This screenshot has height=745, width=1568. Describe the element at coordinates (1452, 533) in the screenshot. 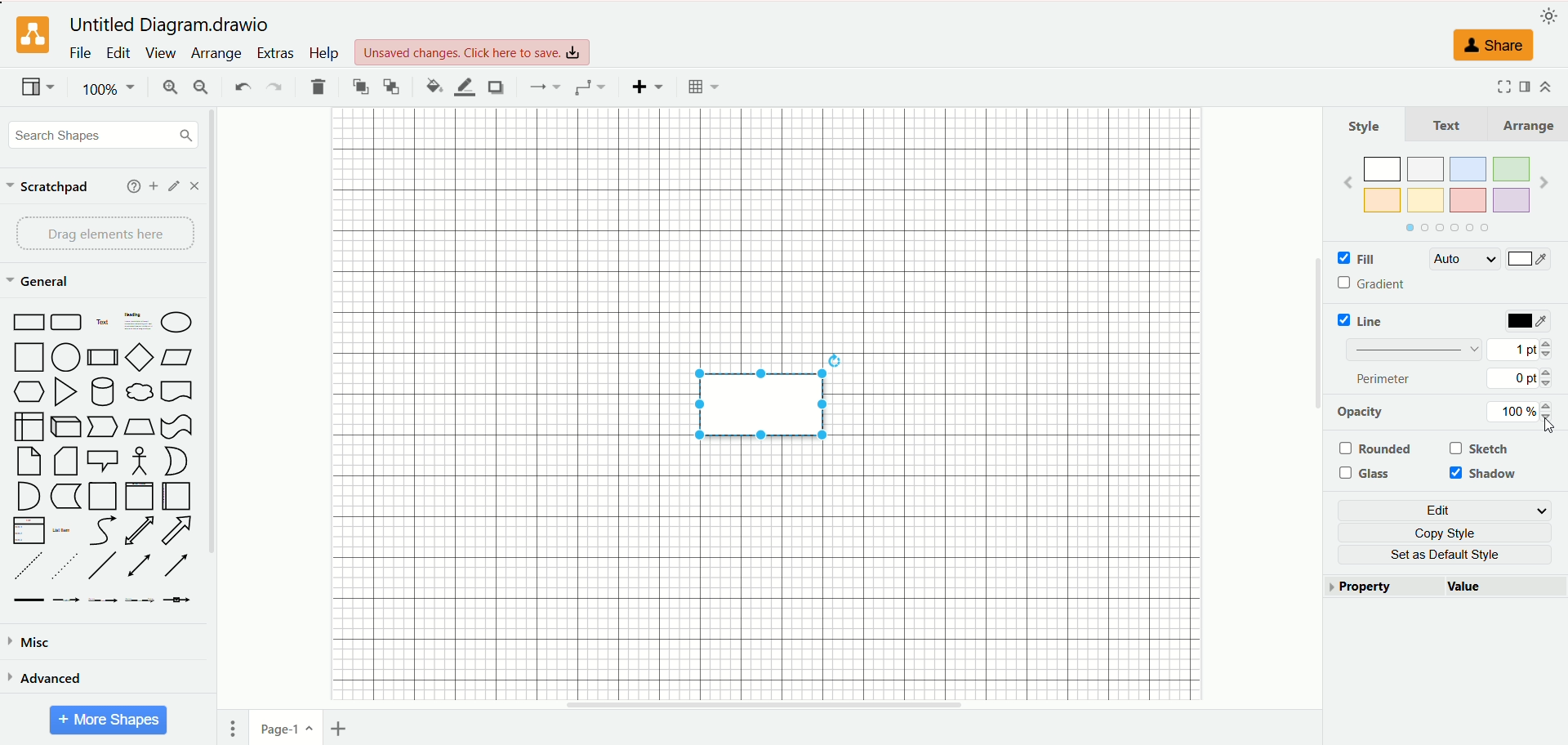

I see `copy style` at that location.